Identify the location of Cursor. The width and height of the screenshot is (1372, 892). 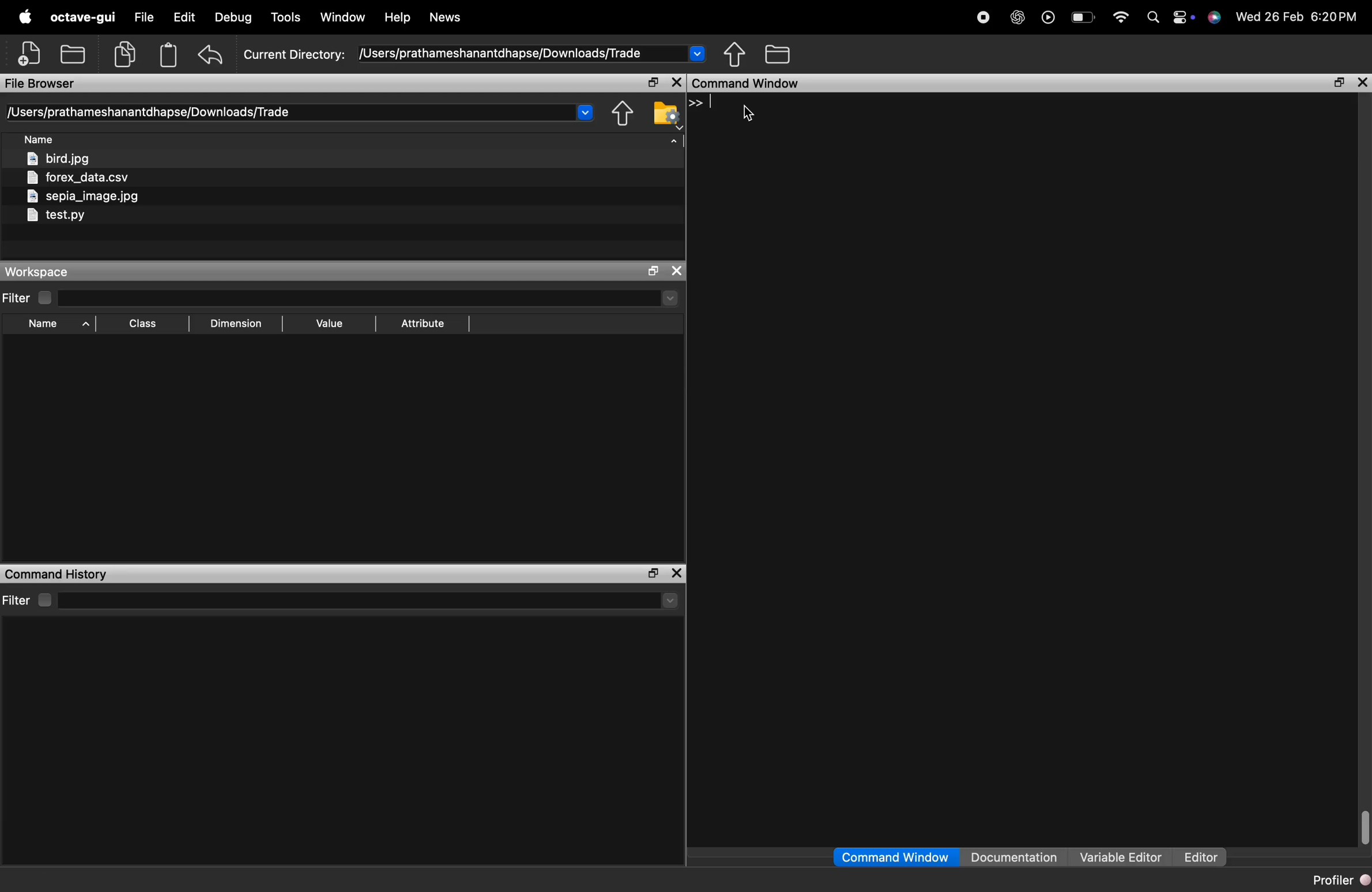
(747, 114).